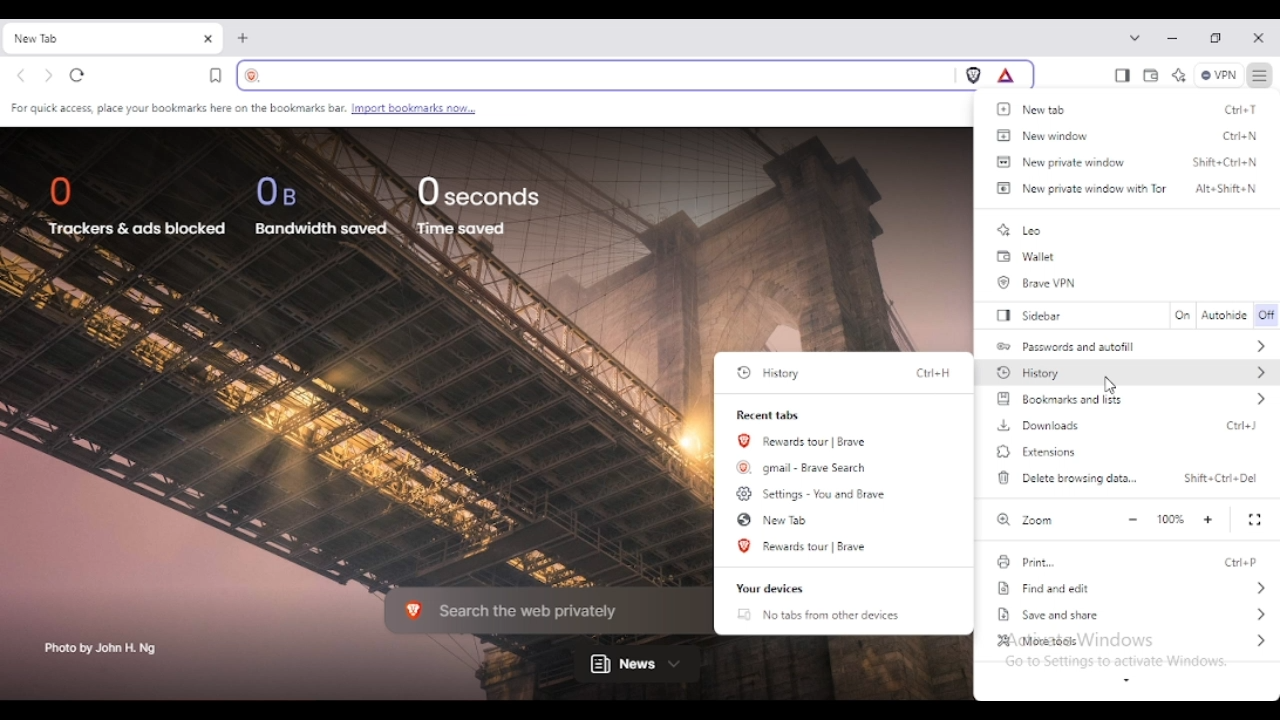  Describe the element at coordinates (1242, 425) in the screenshot. I see `shortcut for downloads` at that location.